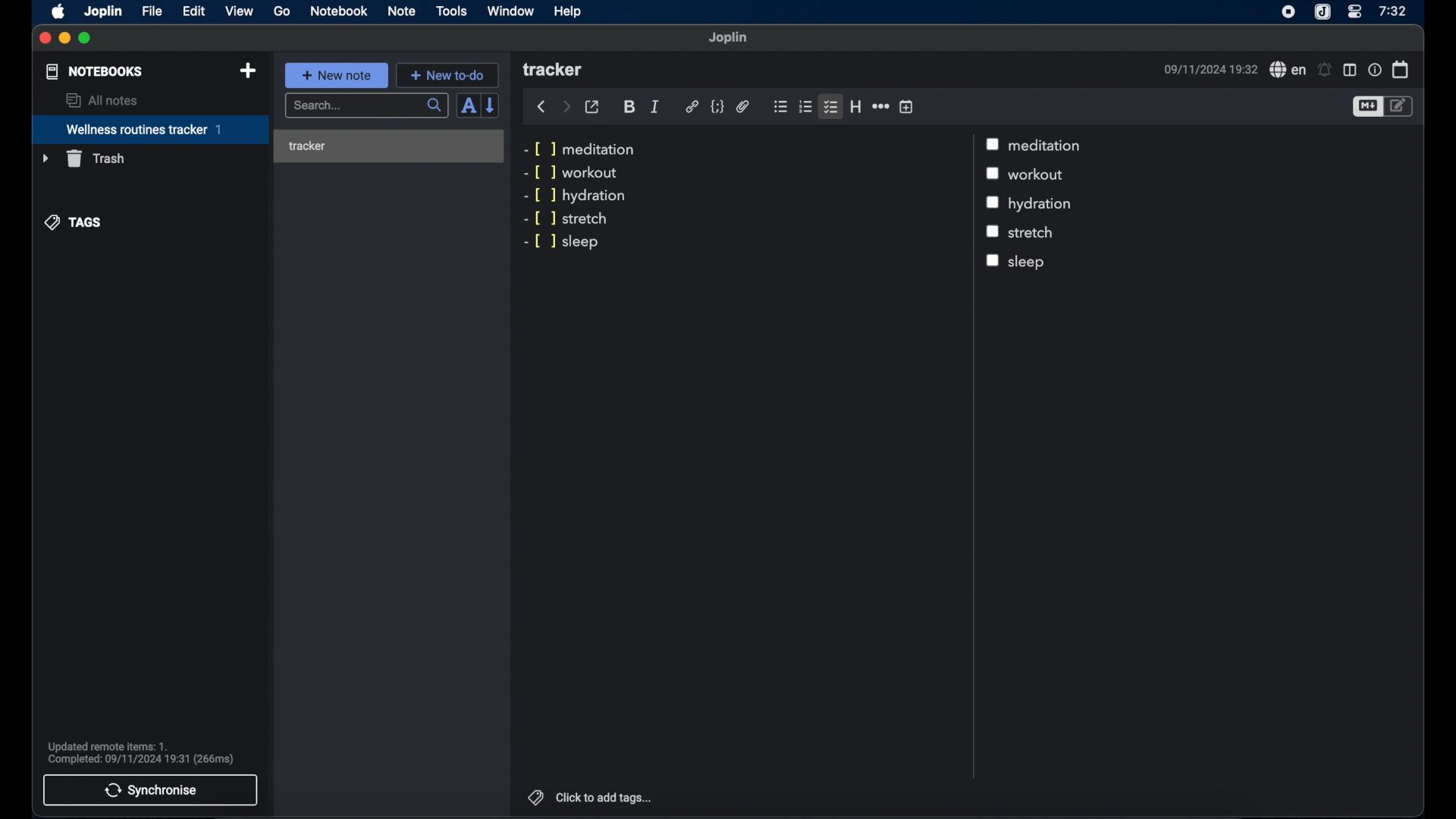 This screenshot has width=1456, height=819. What do you see at coordinates (1043, 205) in the screenshot?
I see `hydration` at bounding box center [1043, 205].